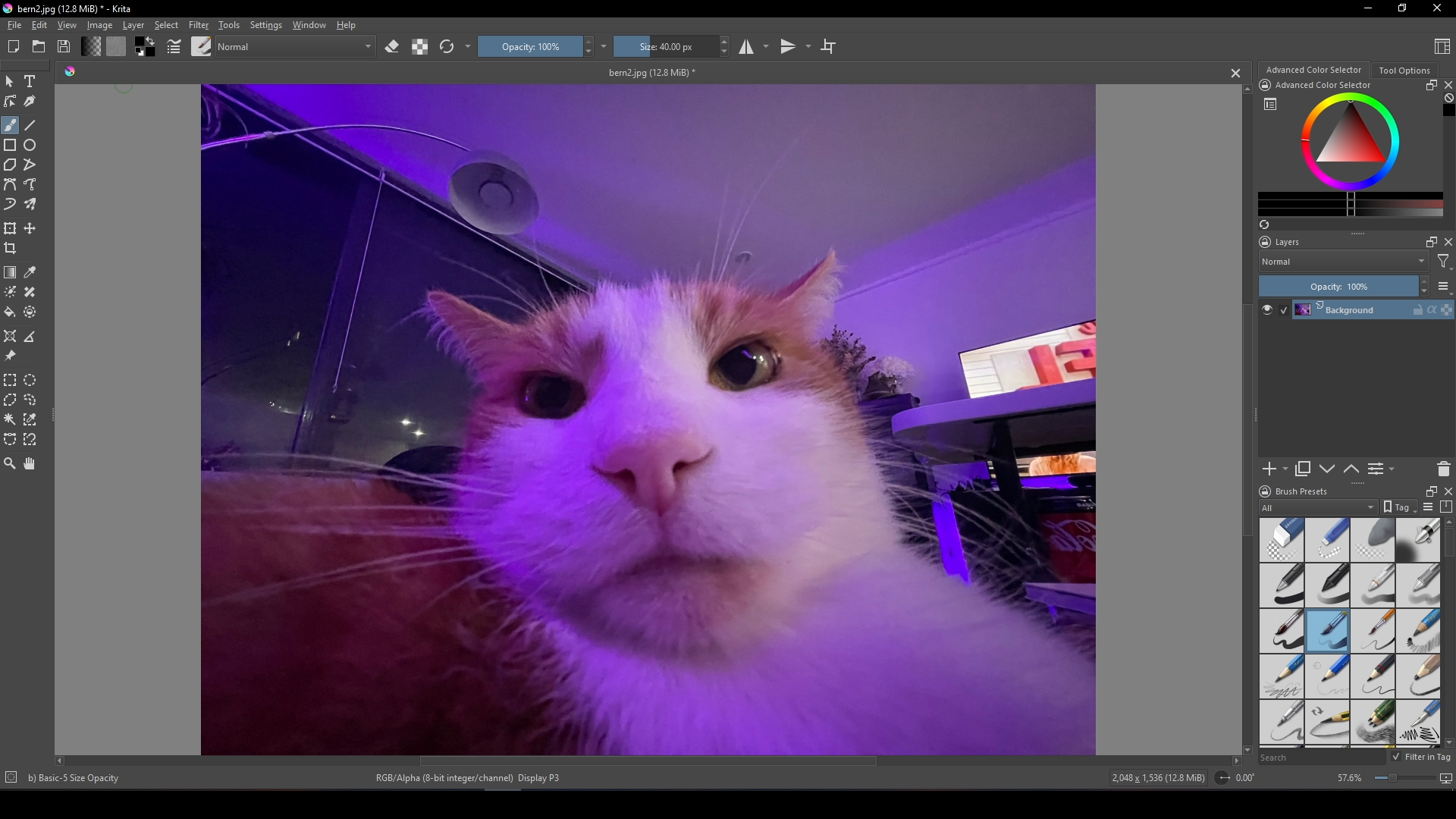 Image resolution: width=1456 pixels, height=819 pixels. I want to click on Brush style preset panel, so click(1351, 633).